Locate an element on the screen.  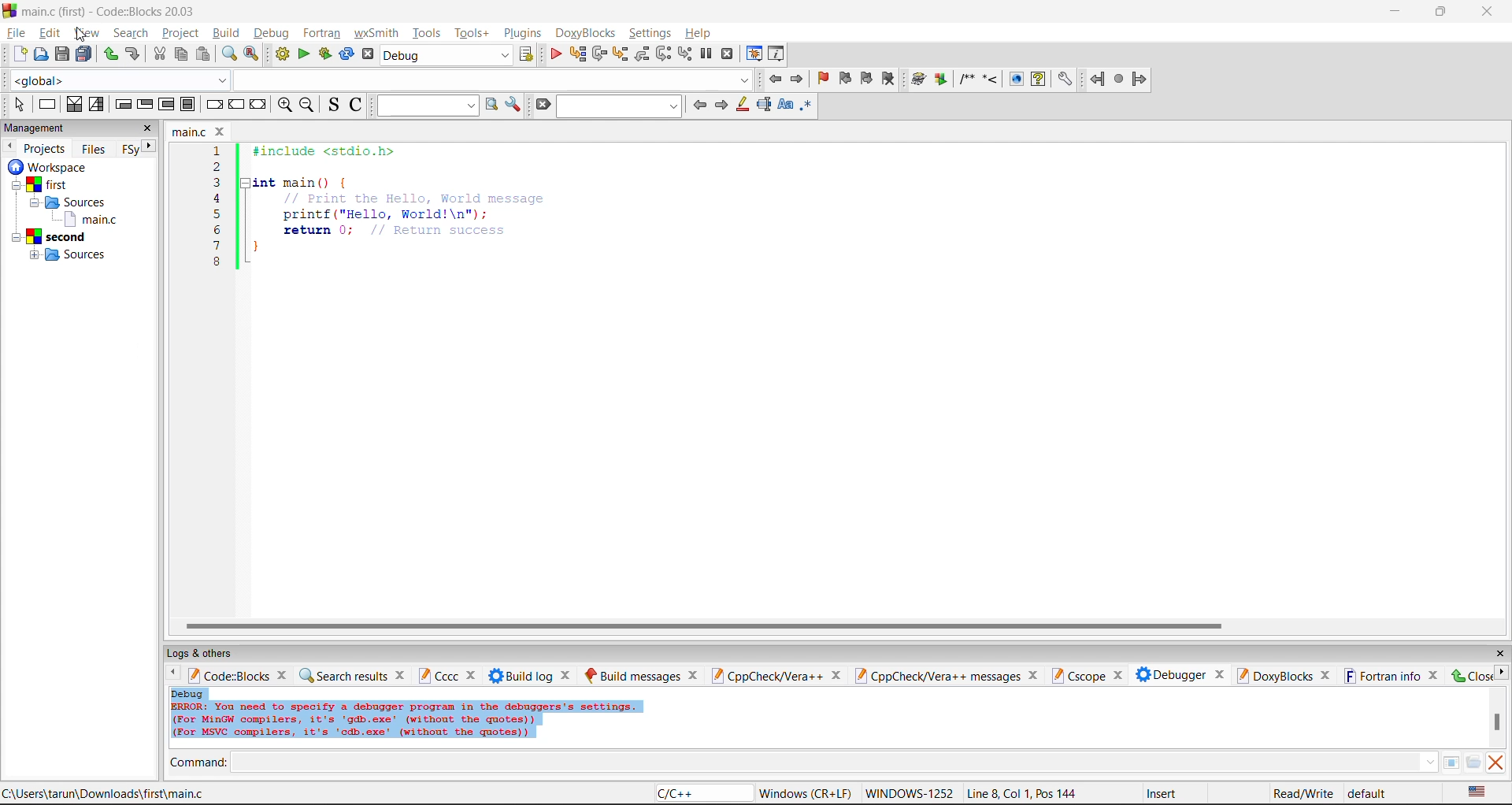
clear is located at coordinates (543, 106).